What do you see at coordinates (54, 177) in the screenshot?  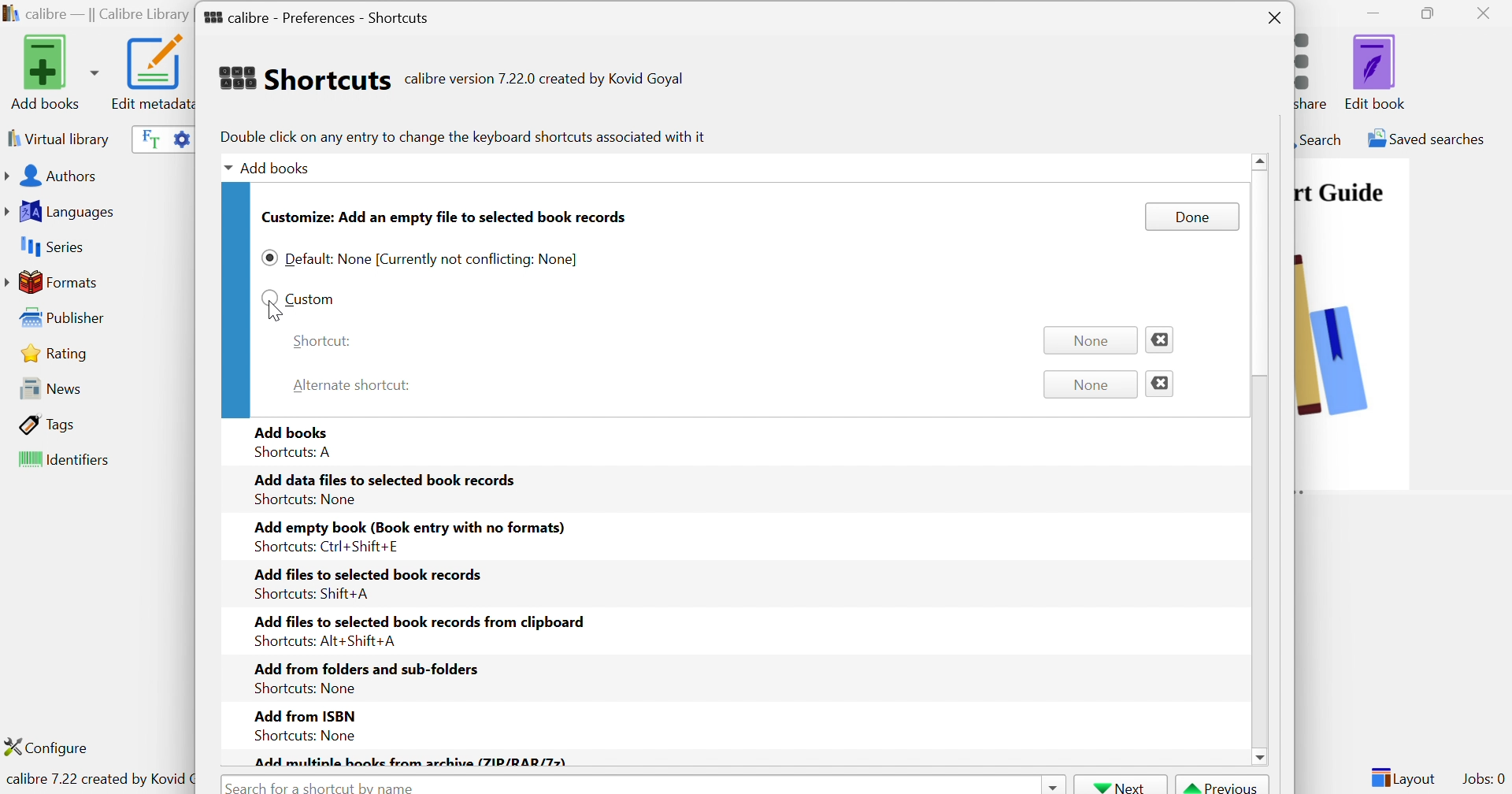 I see `Authors` at bounding box center [54, 177].